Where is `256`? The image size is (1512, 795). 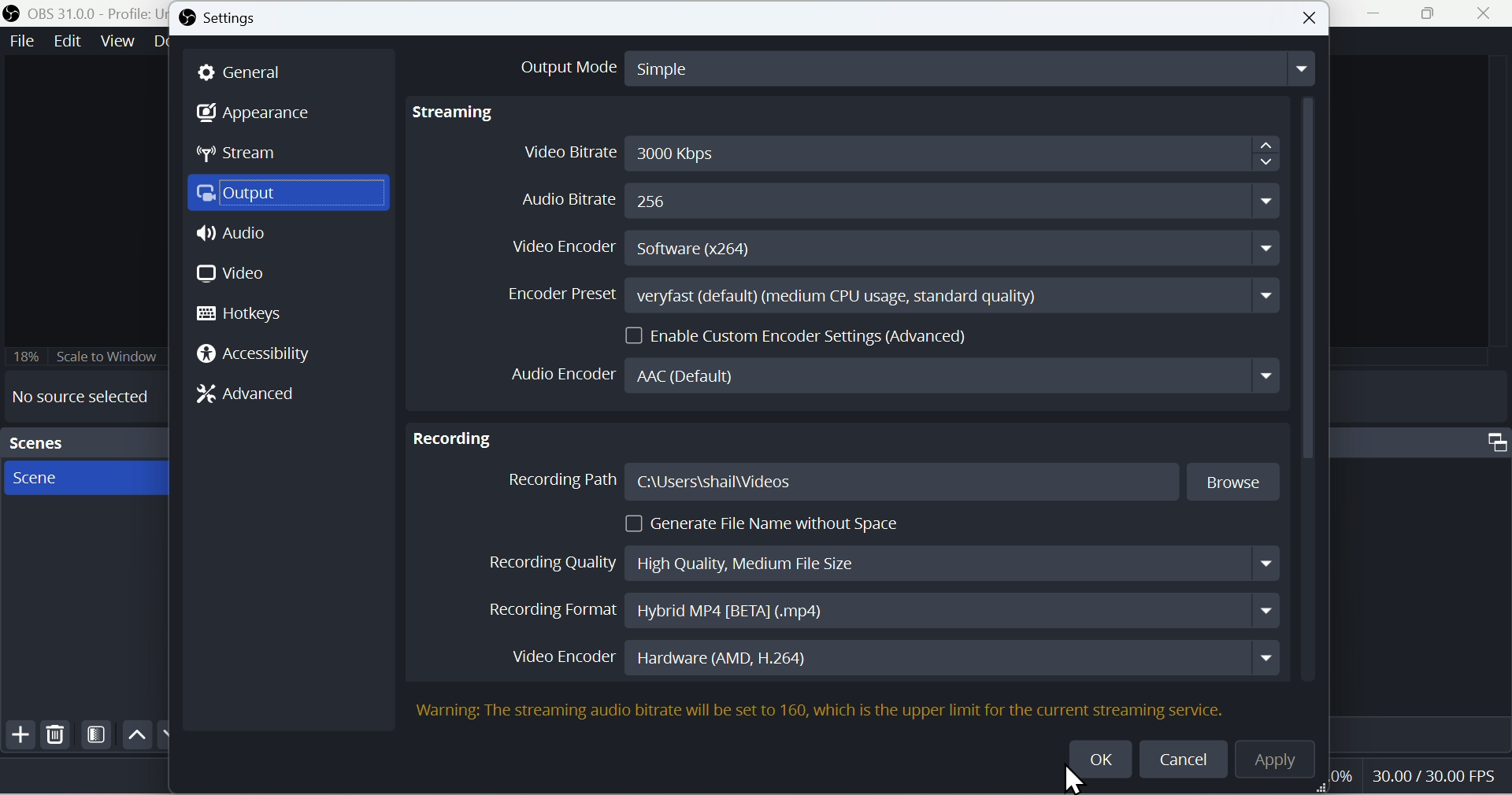 256 is located at coordinates (659, 202).